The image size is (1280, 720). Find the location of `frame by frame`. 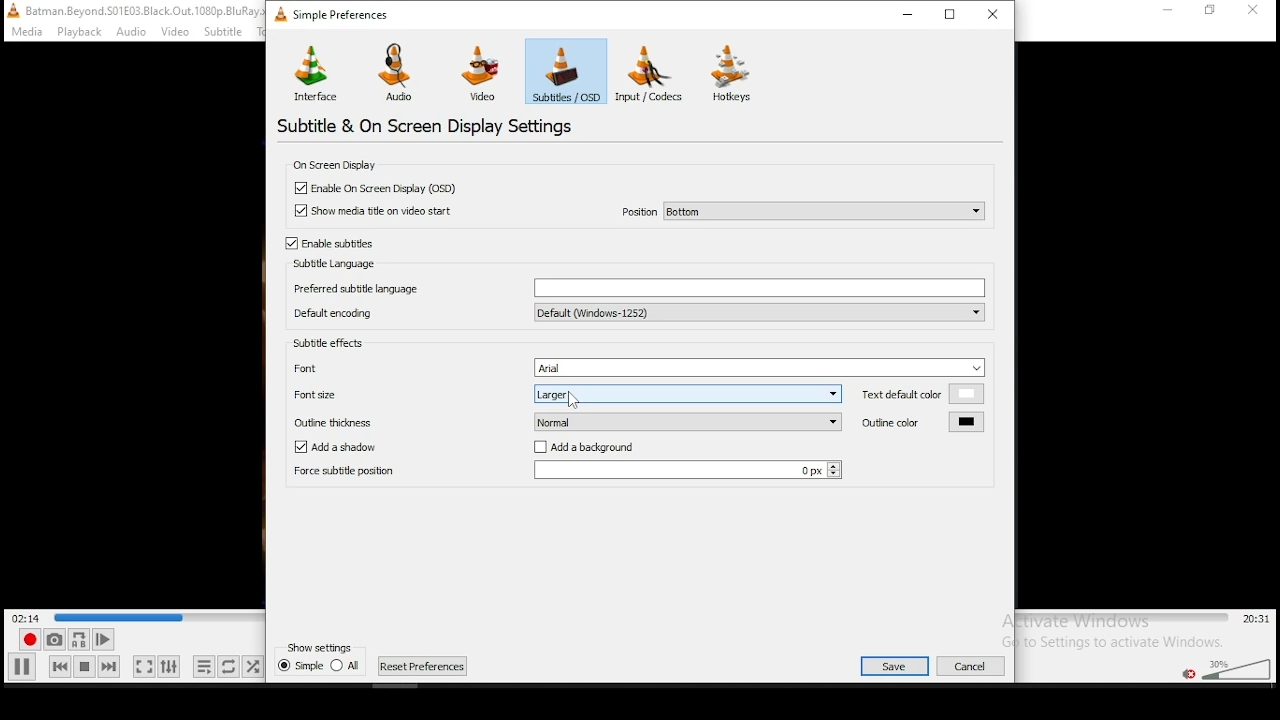

frame by frame is located at coordinates (100, 640).